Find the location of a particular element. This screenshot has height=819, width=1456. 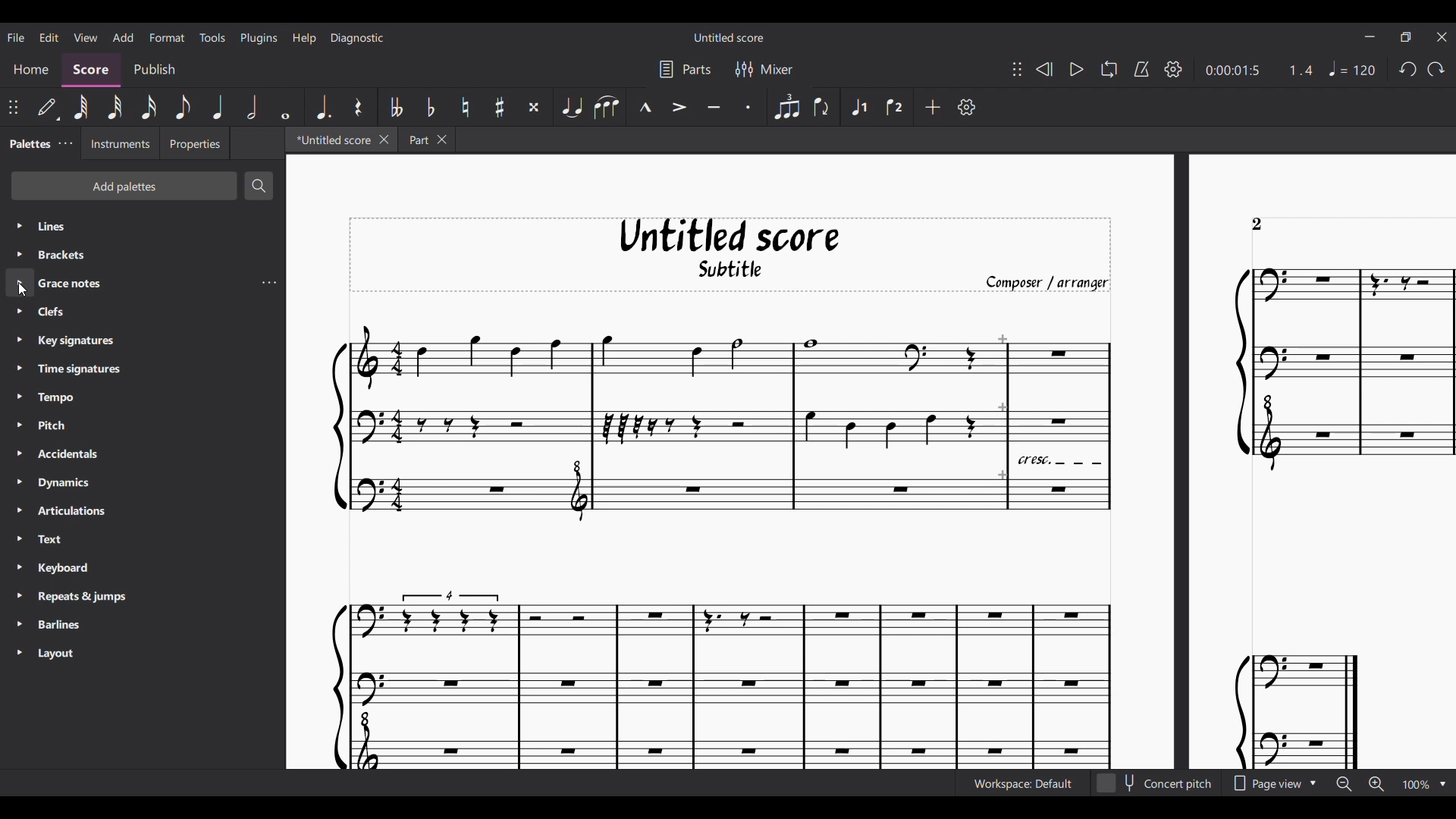

32nd note is located at coordinates (114, 108).